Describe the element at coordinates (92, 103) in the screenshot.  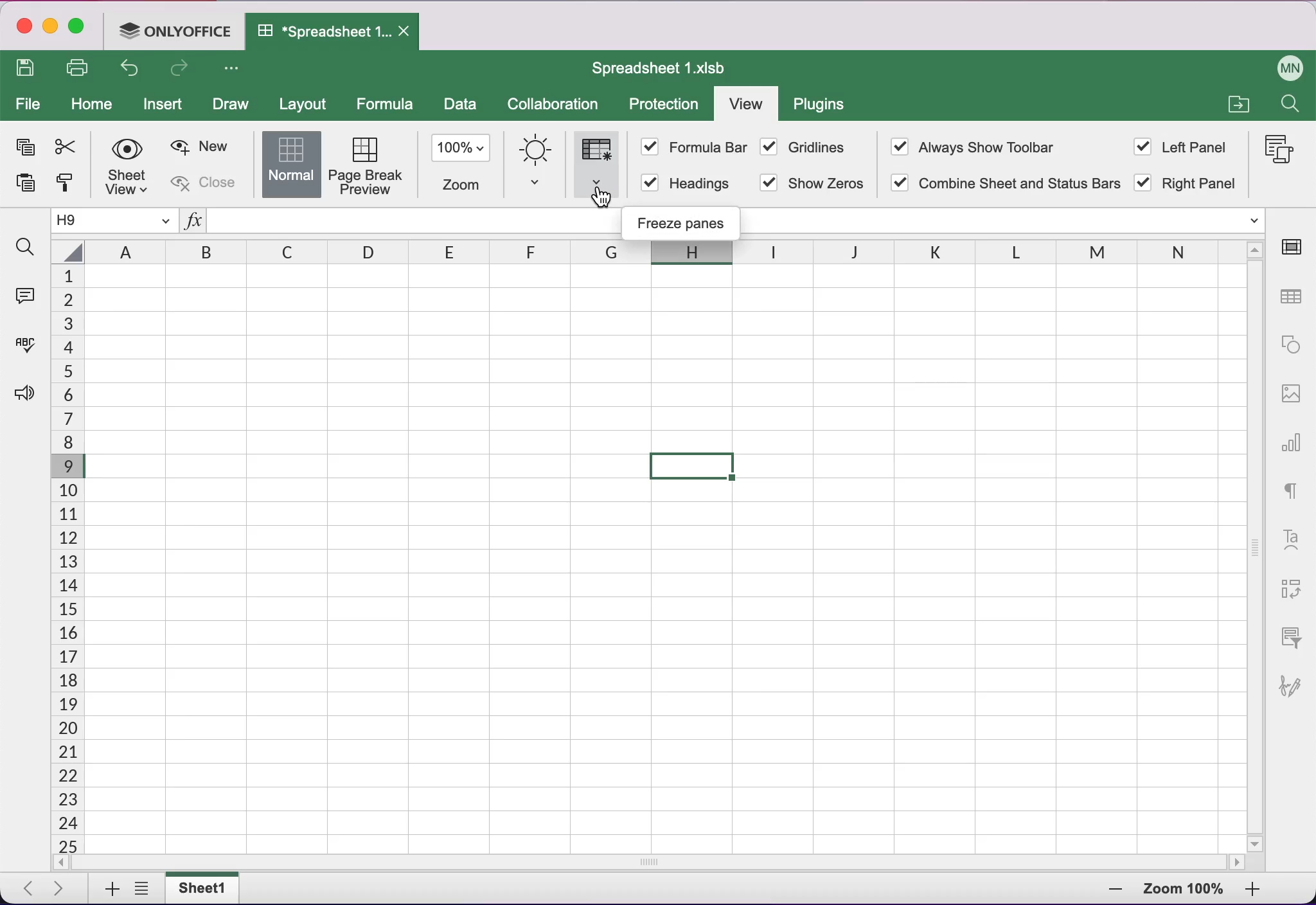
I see `home` at that location.